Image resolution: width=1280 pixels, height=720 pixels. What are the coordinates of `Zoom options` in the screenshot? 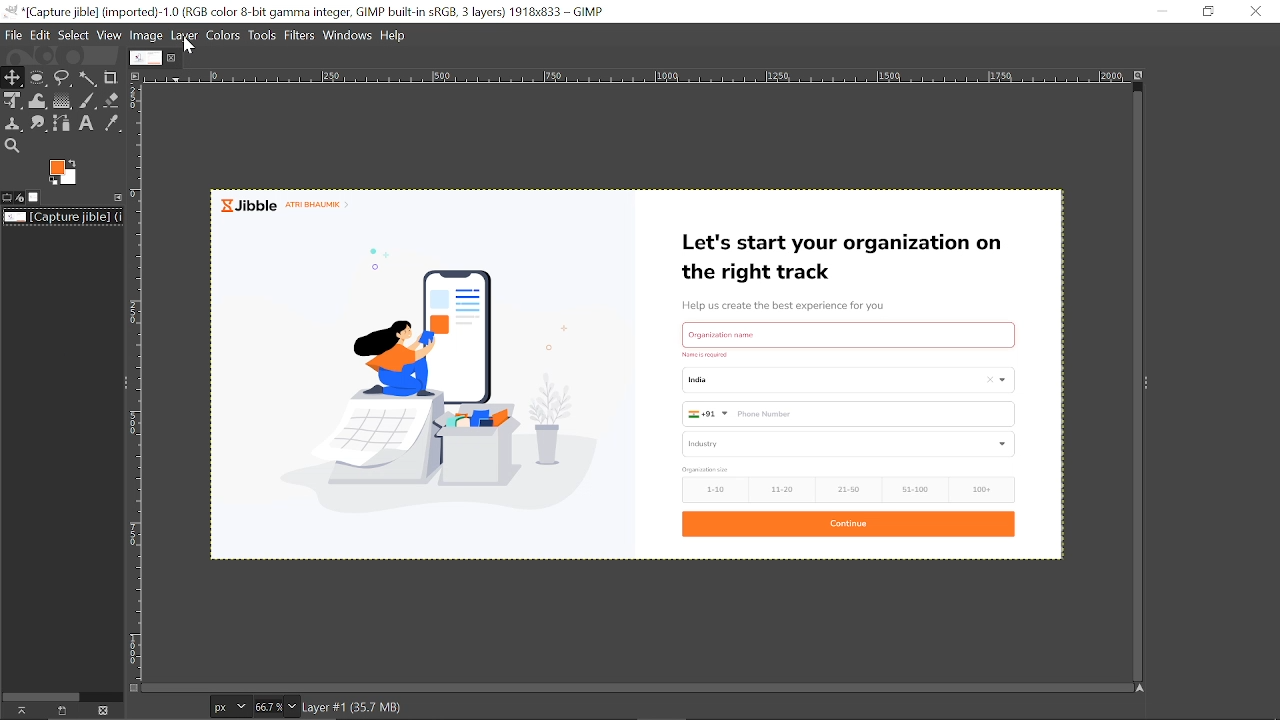 It's located at (291, 706).